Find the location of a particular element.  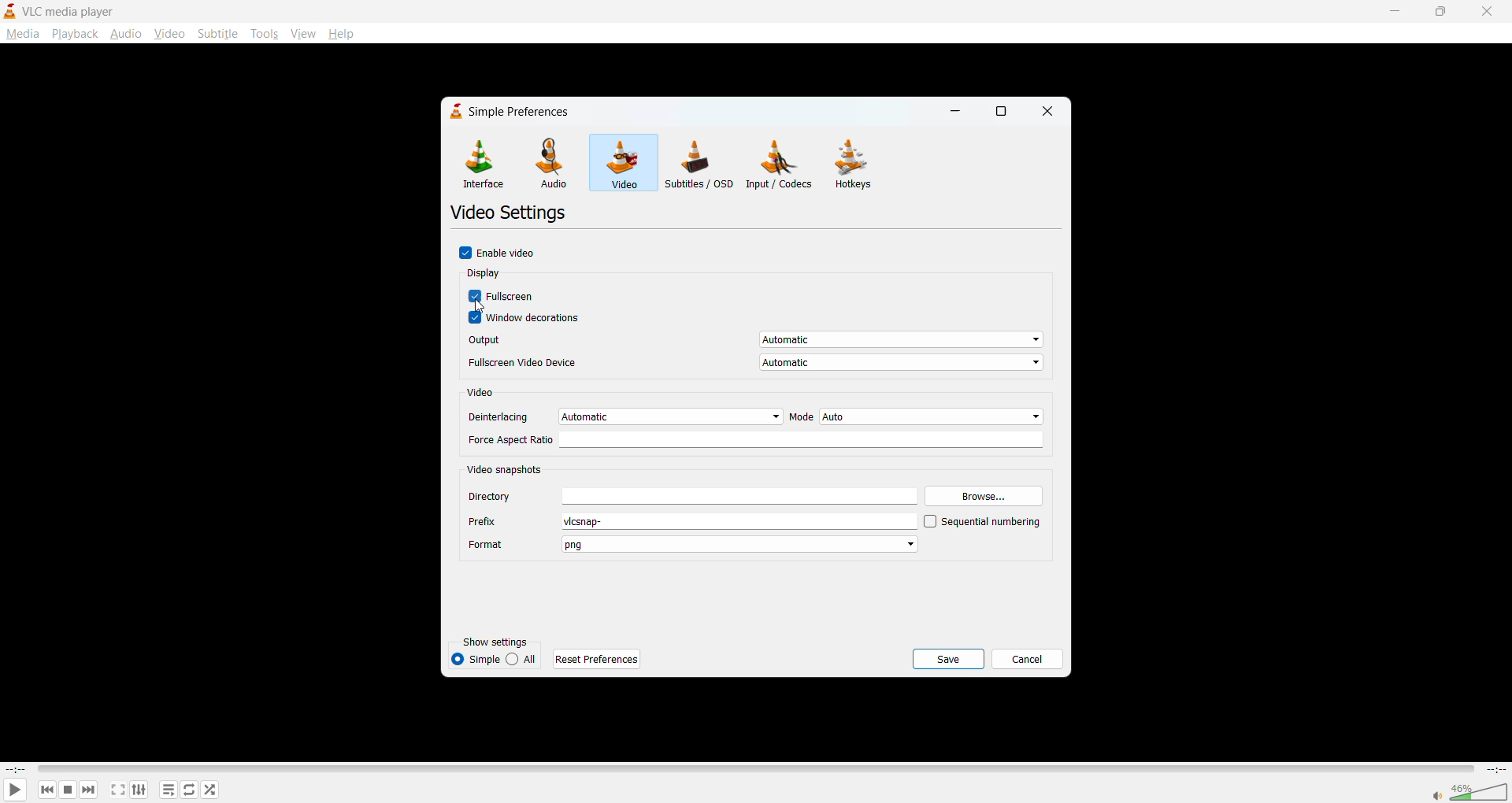

view is located at coordinates (302, 31).